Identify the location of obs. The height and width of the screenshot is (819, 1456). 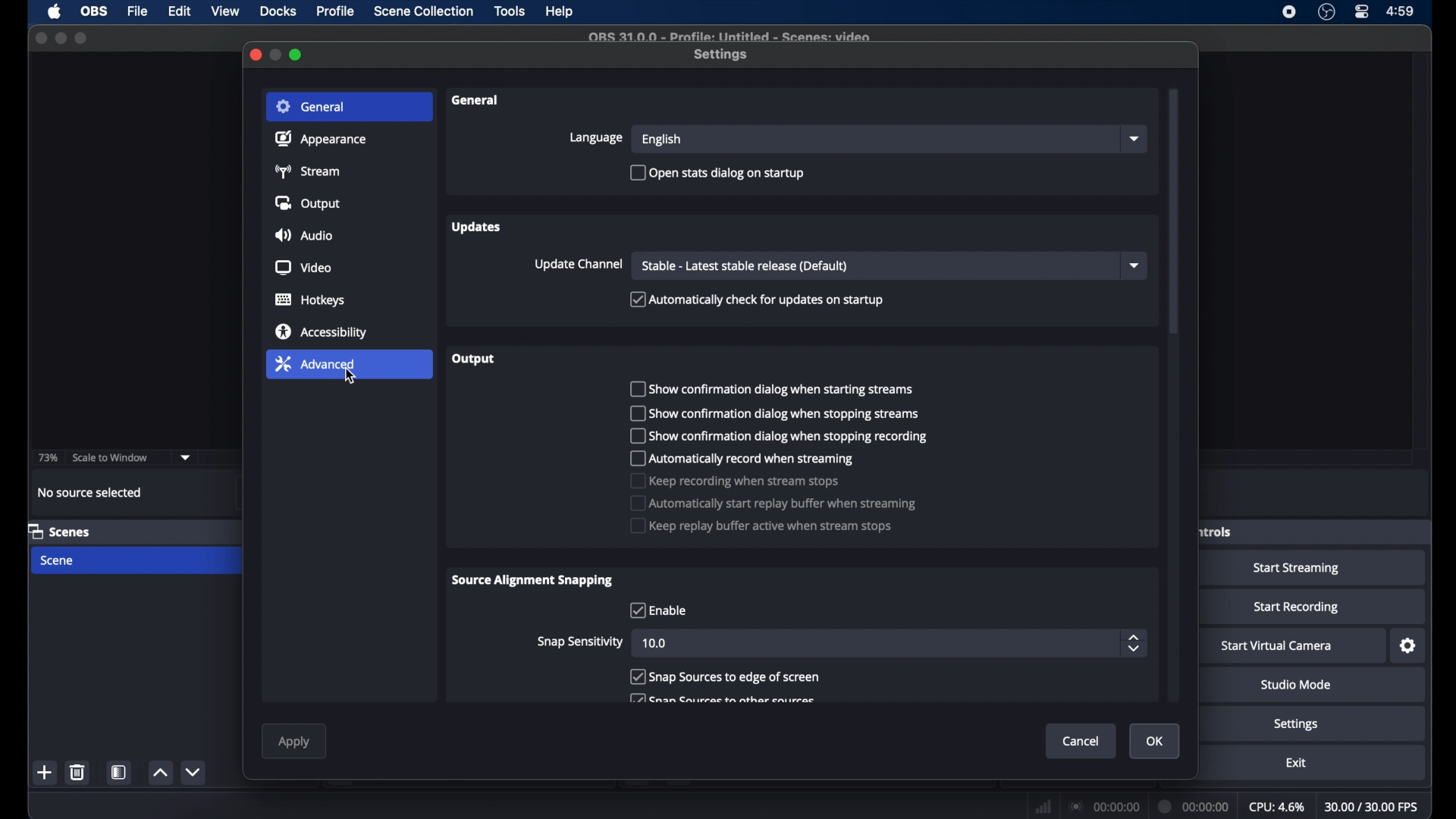
(93, 11).